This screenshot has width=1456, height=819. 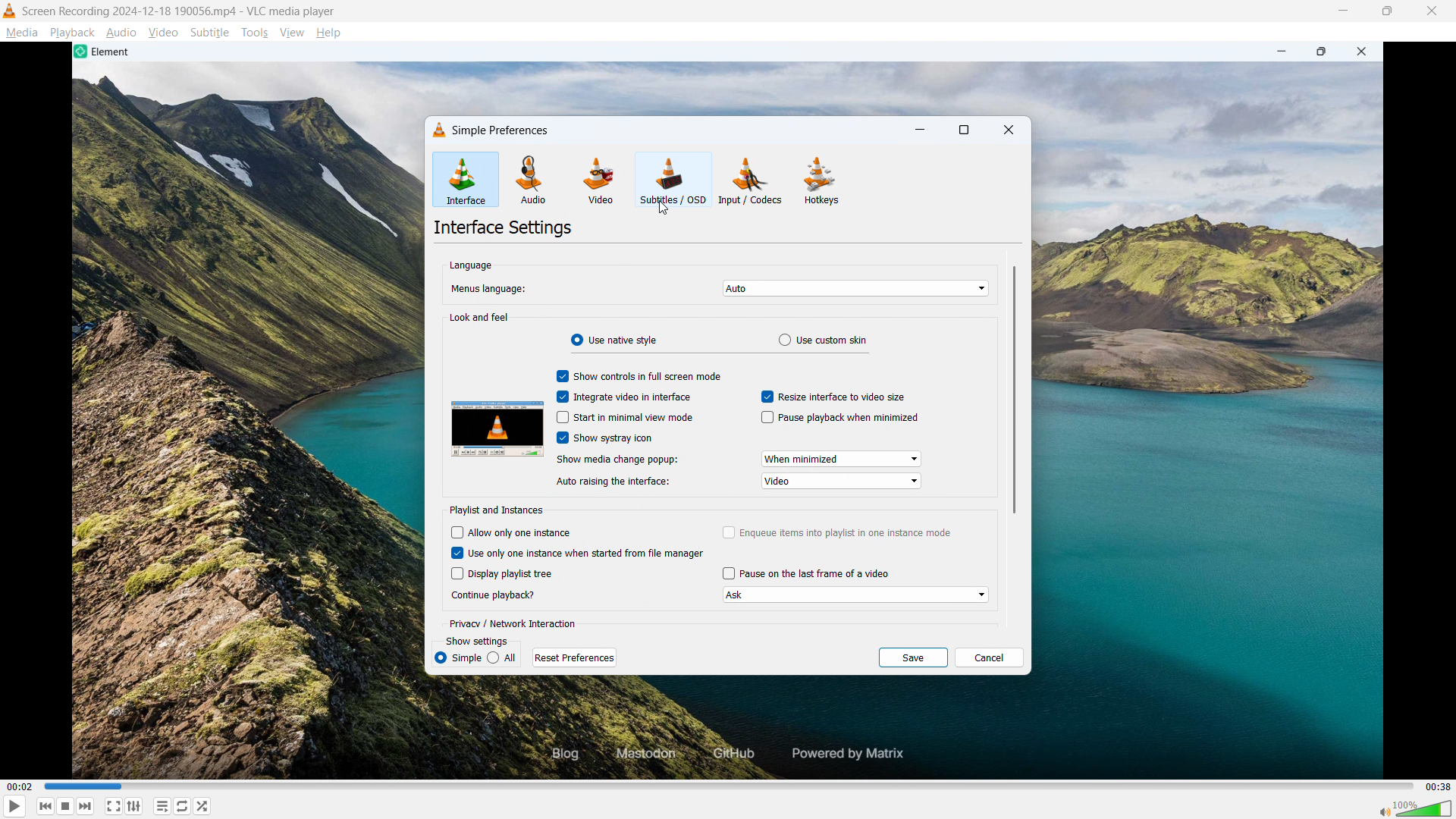 I want to click on Interface settings , so click(x=505, y=229).